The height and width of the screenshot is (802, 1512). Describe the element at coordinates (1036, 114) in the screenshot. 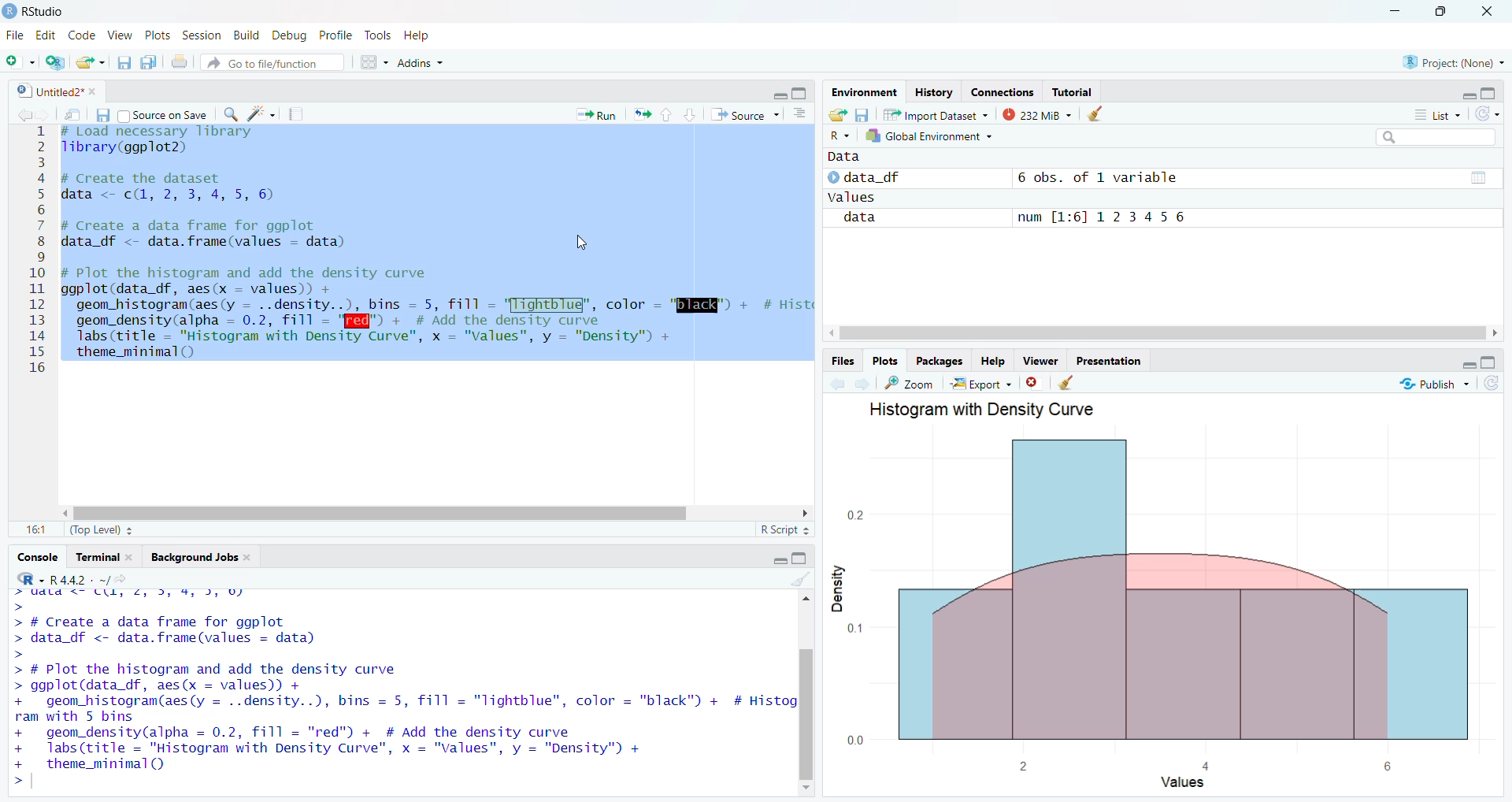

I see `157 MiB` at that location.